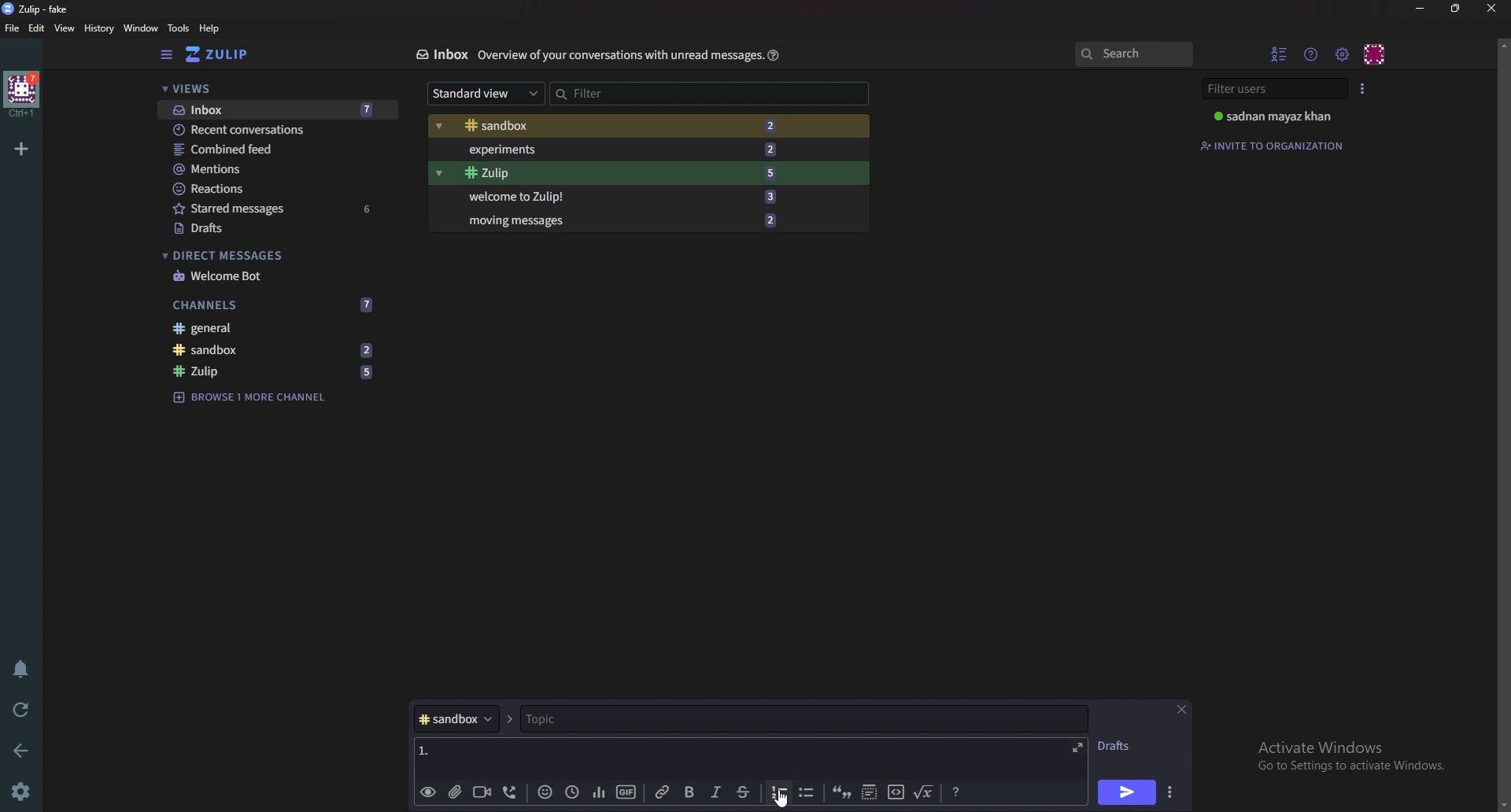 This screenshot has height=812, width=1511. Describe the element at coordinates (1127, 792) in the screenshot. I see `Send` at that location.